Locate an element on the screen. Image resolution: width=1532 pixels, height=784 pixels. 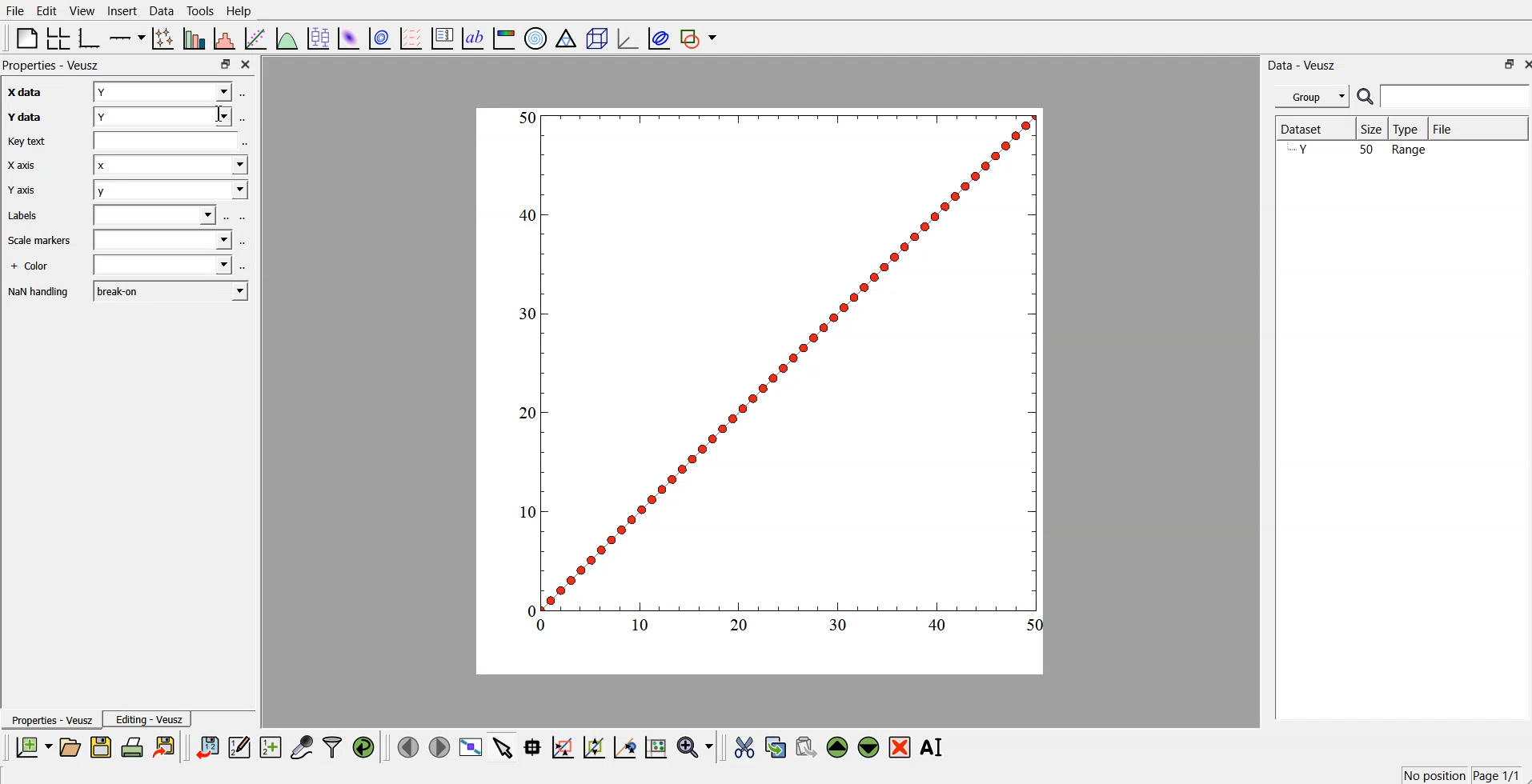
Help is located at coordinates (239, 12).